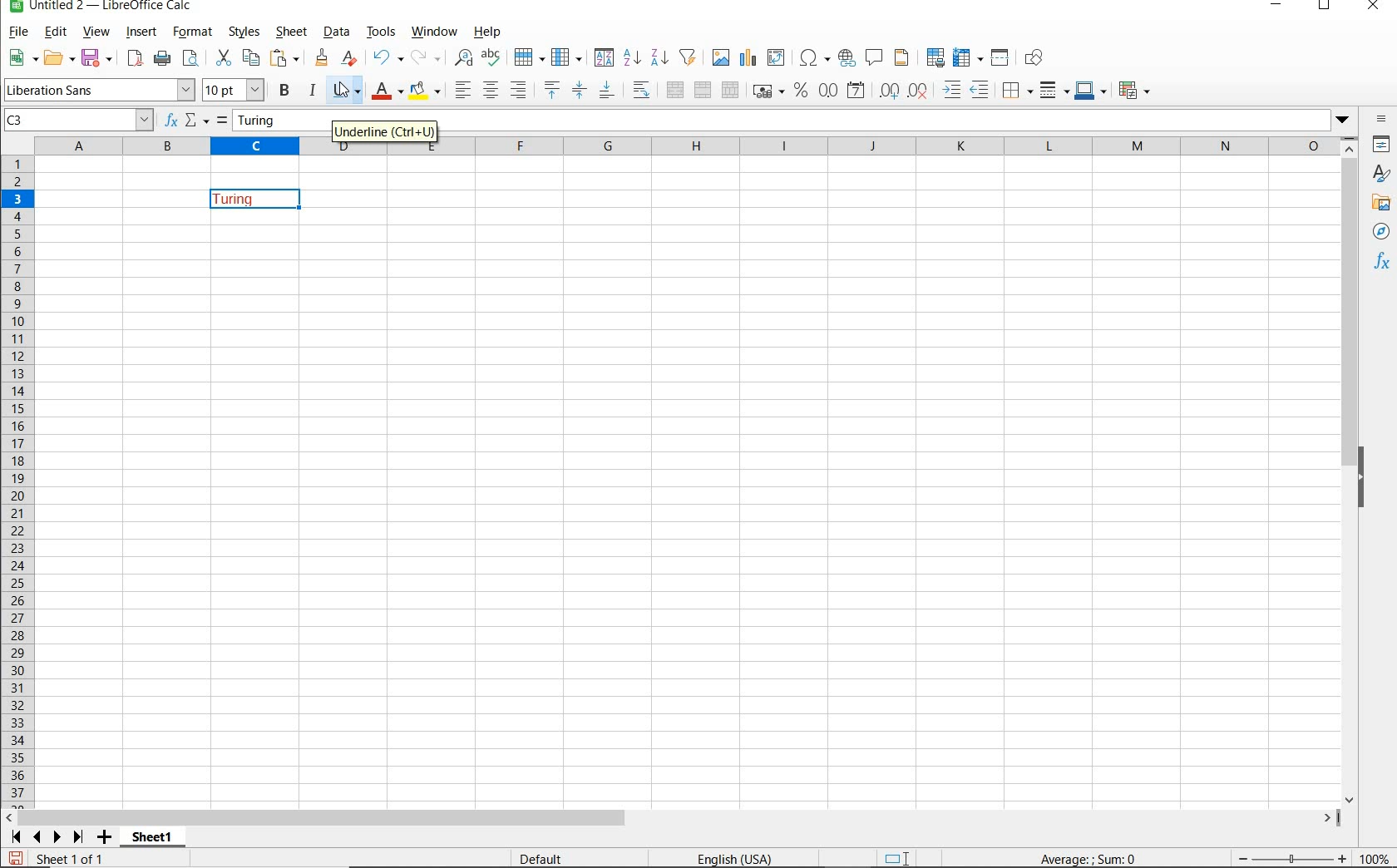  What do you see at coordinates (143, 33) in the screenshot?
I see `INSERT` at bounding box center [143, 33].